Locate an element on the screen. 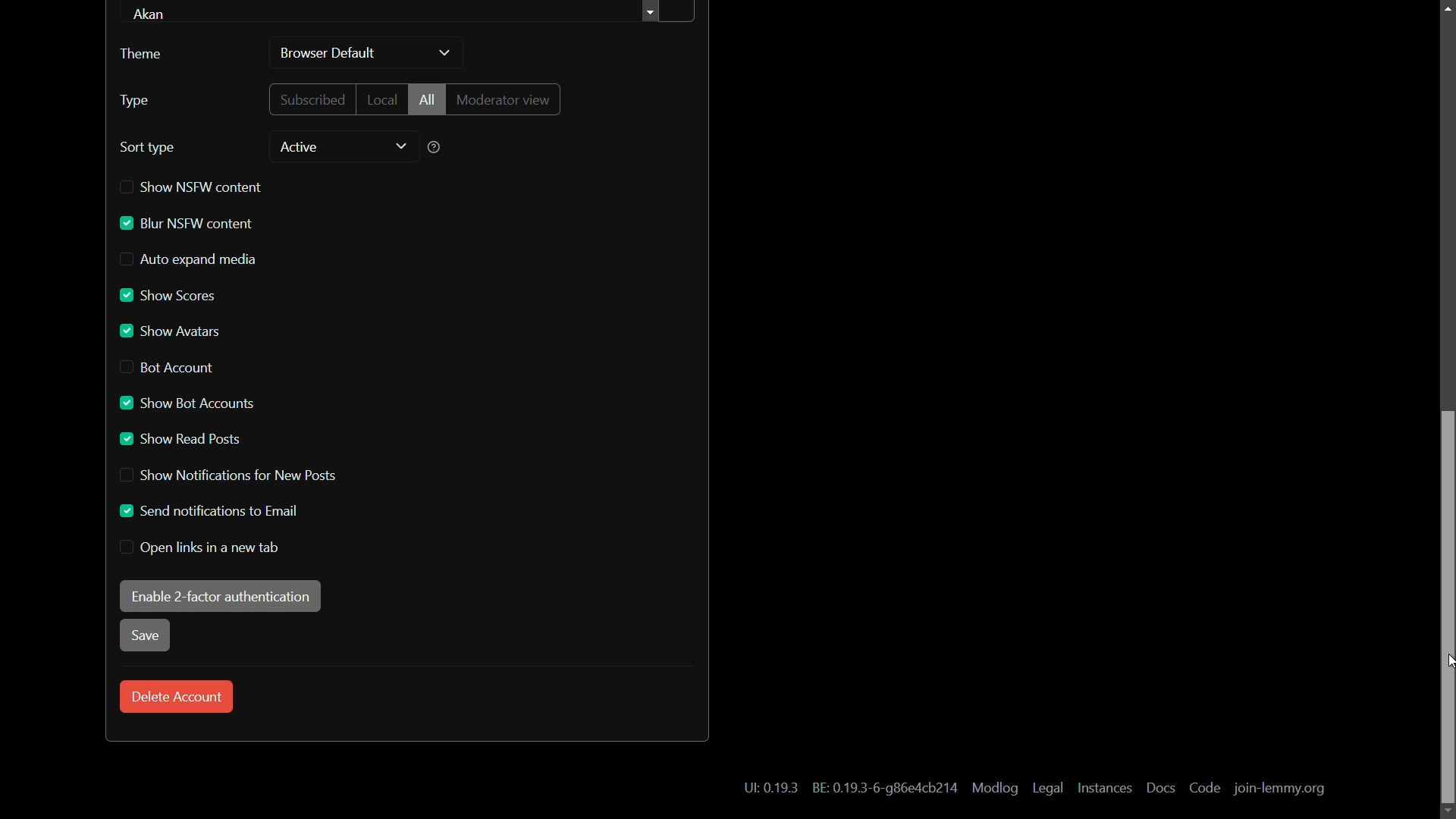 The image size is (1456, 819). delete account is located at coordinates (177, 697).